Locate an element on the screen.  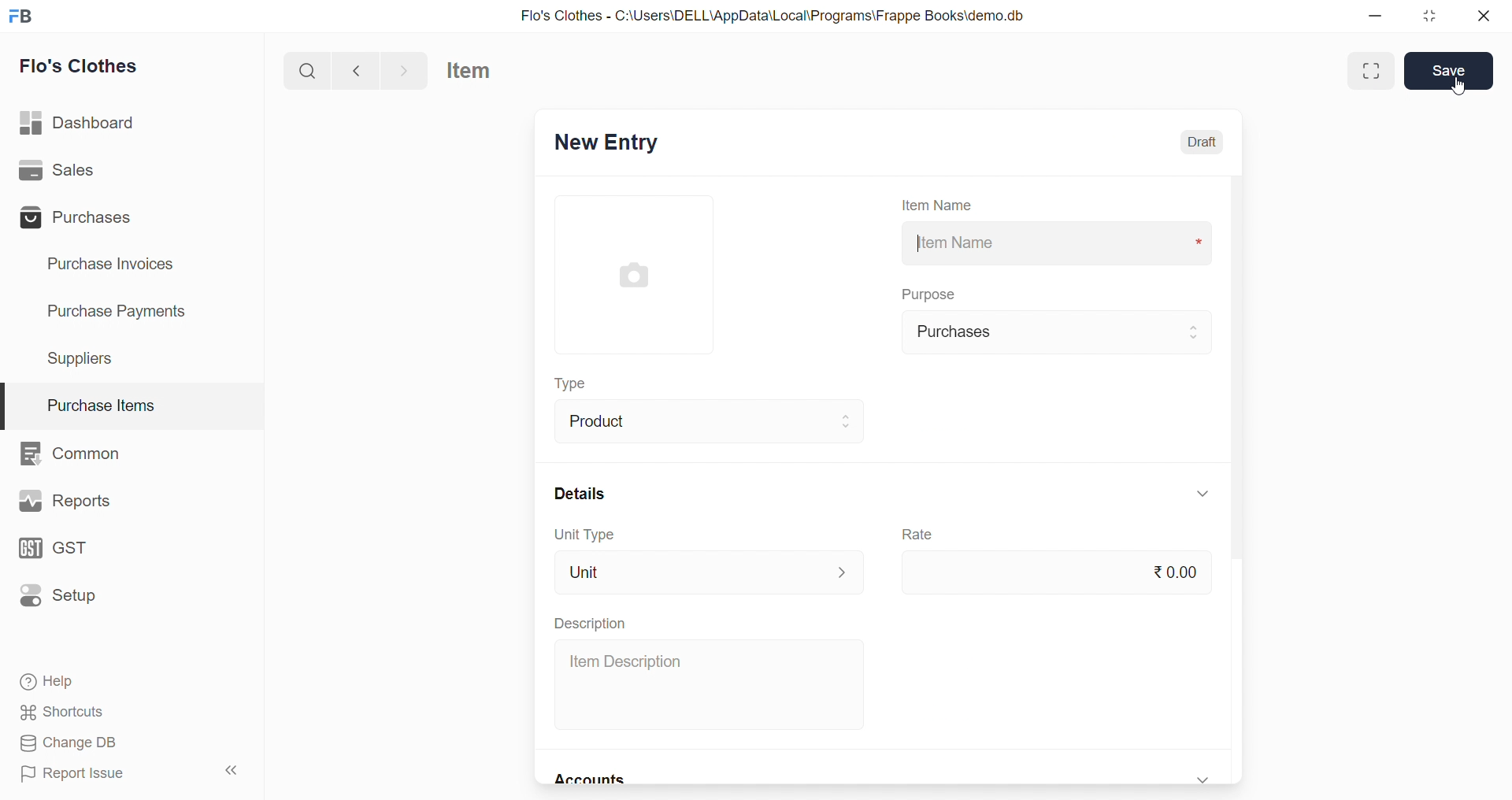
navigate forward is located at coordinates (406, 70).